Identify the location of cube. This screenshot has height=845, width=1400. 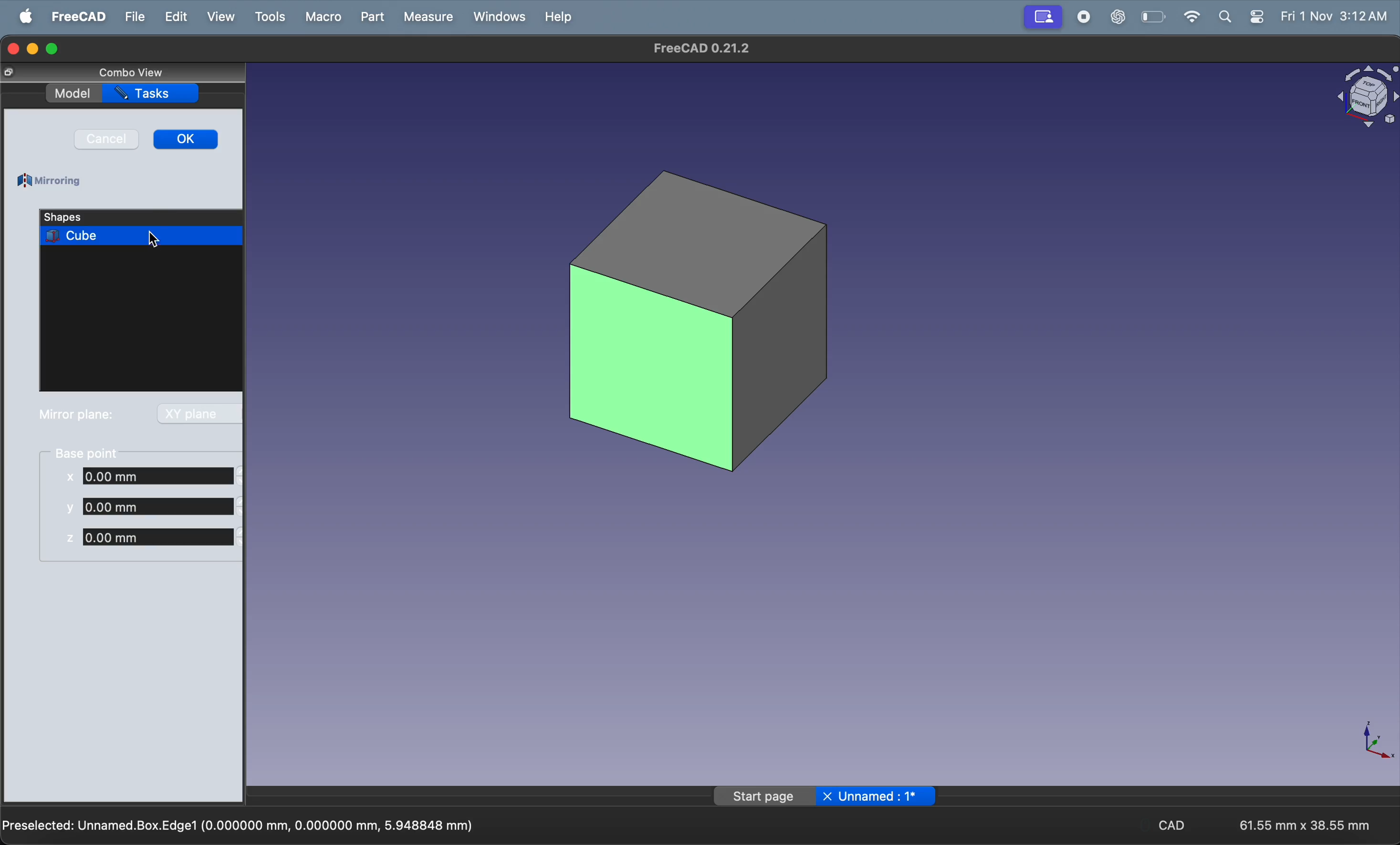
(698, 320).